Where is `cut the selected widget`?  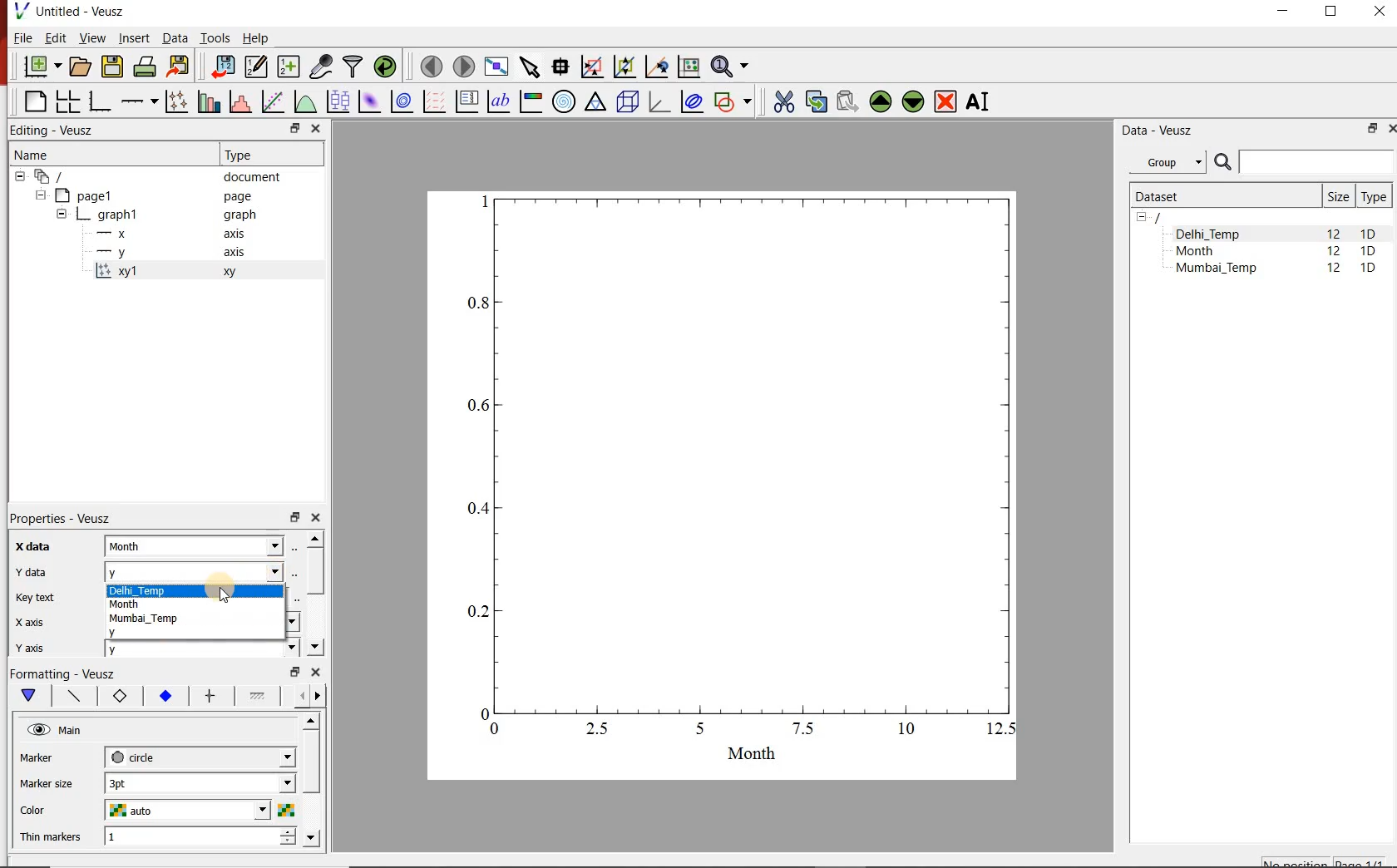
cut the selected widget is located at coordinates (783, 101).